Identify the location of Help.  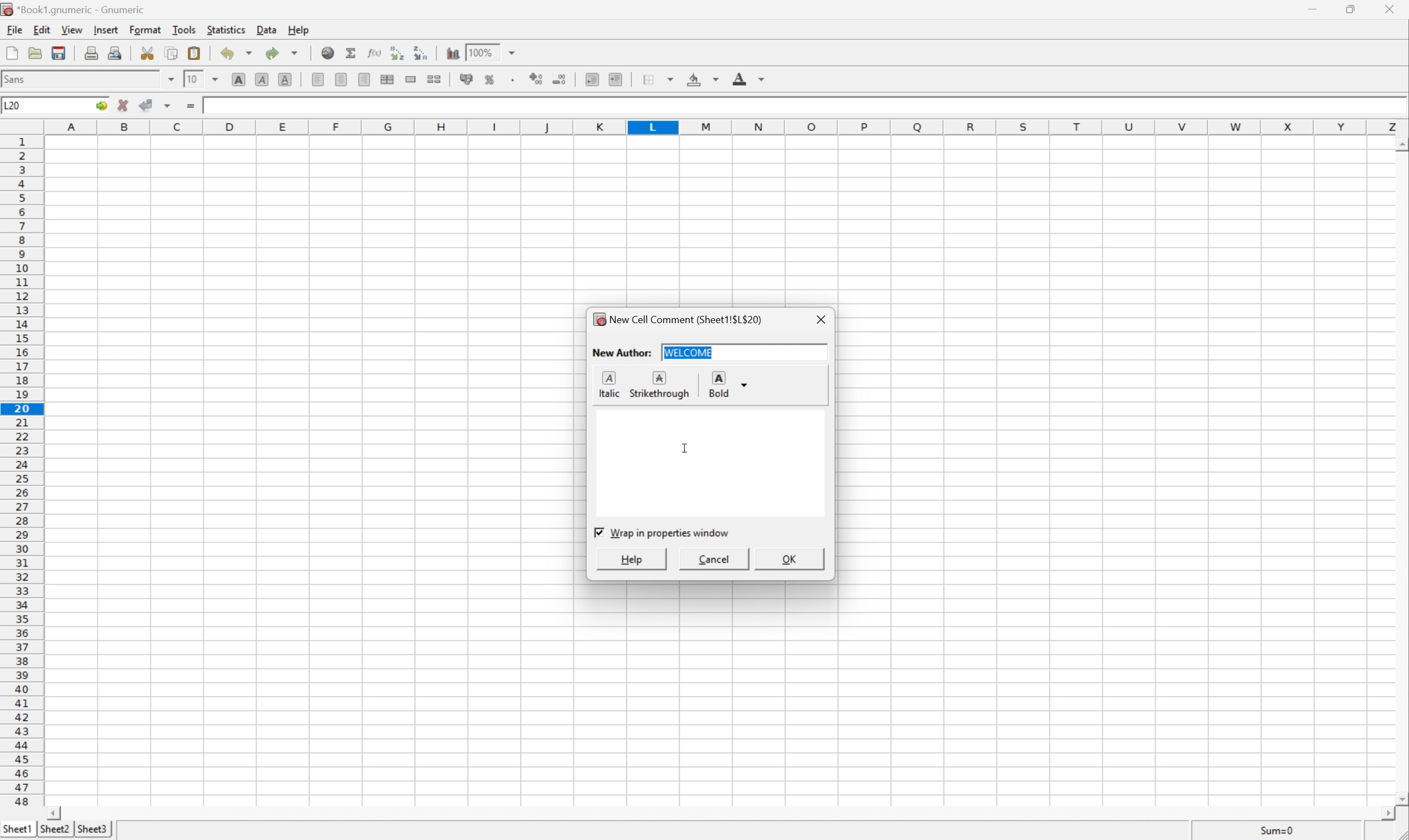
(298, 30).